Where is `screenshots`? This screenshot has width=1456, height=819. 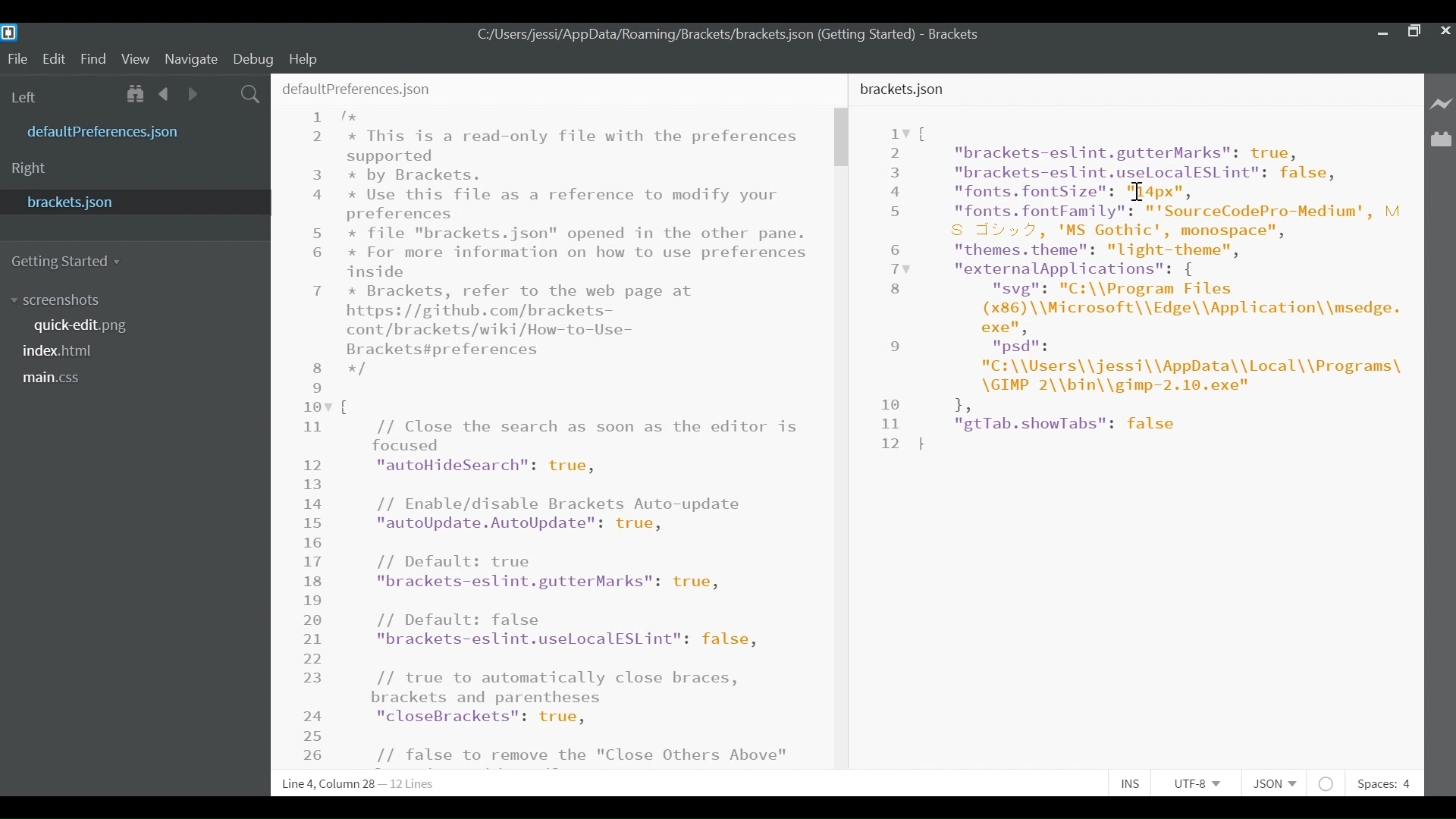
screenshots is located at coordinates (55, 300).